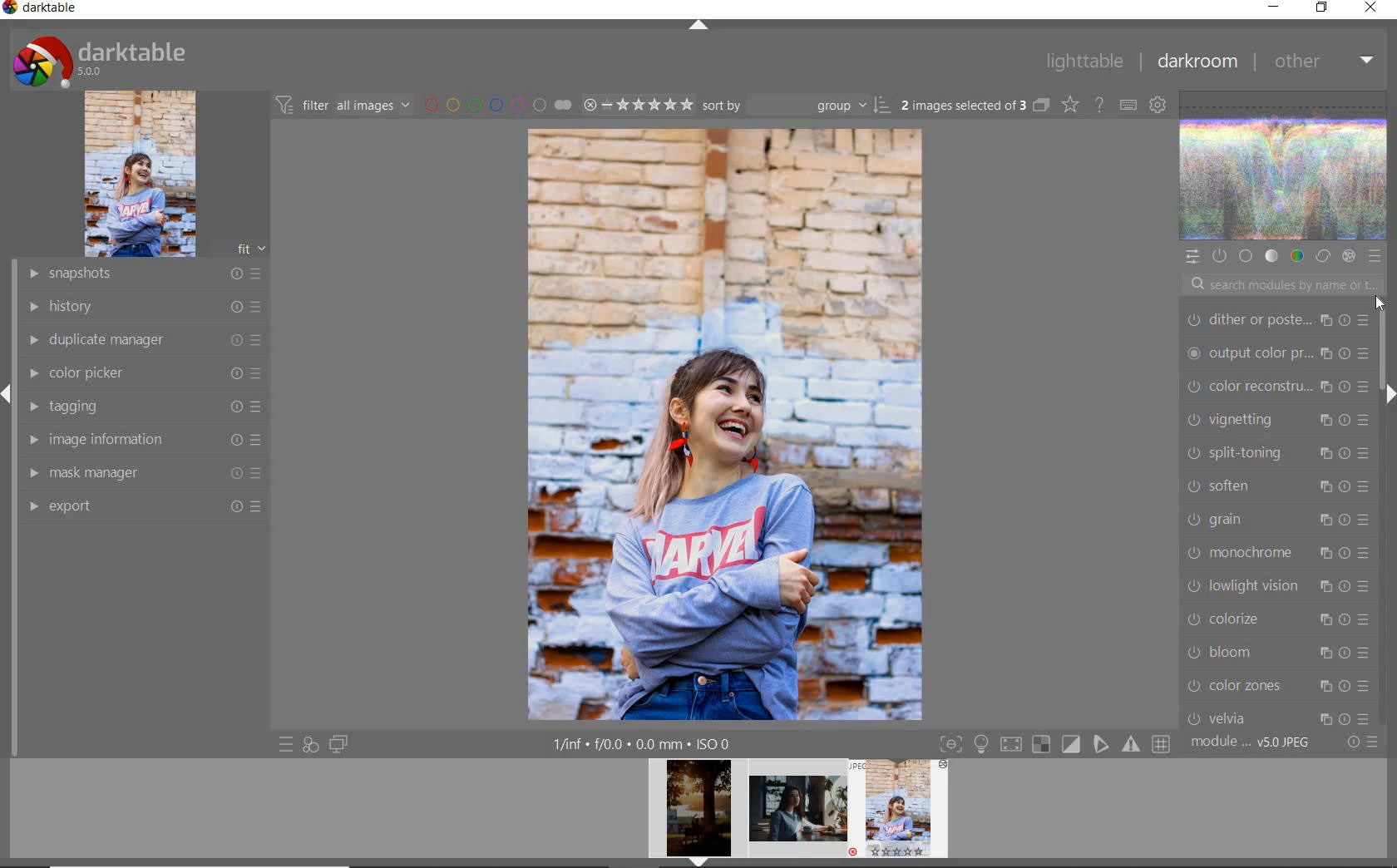 Image resolution: width=1397 pixels, height=868 pixels. What do you see at coordinates (1247, 257) in the screenshot?
I see `base ` at bounding box center [1247, 257].